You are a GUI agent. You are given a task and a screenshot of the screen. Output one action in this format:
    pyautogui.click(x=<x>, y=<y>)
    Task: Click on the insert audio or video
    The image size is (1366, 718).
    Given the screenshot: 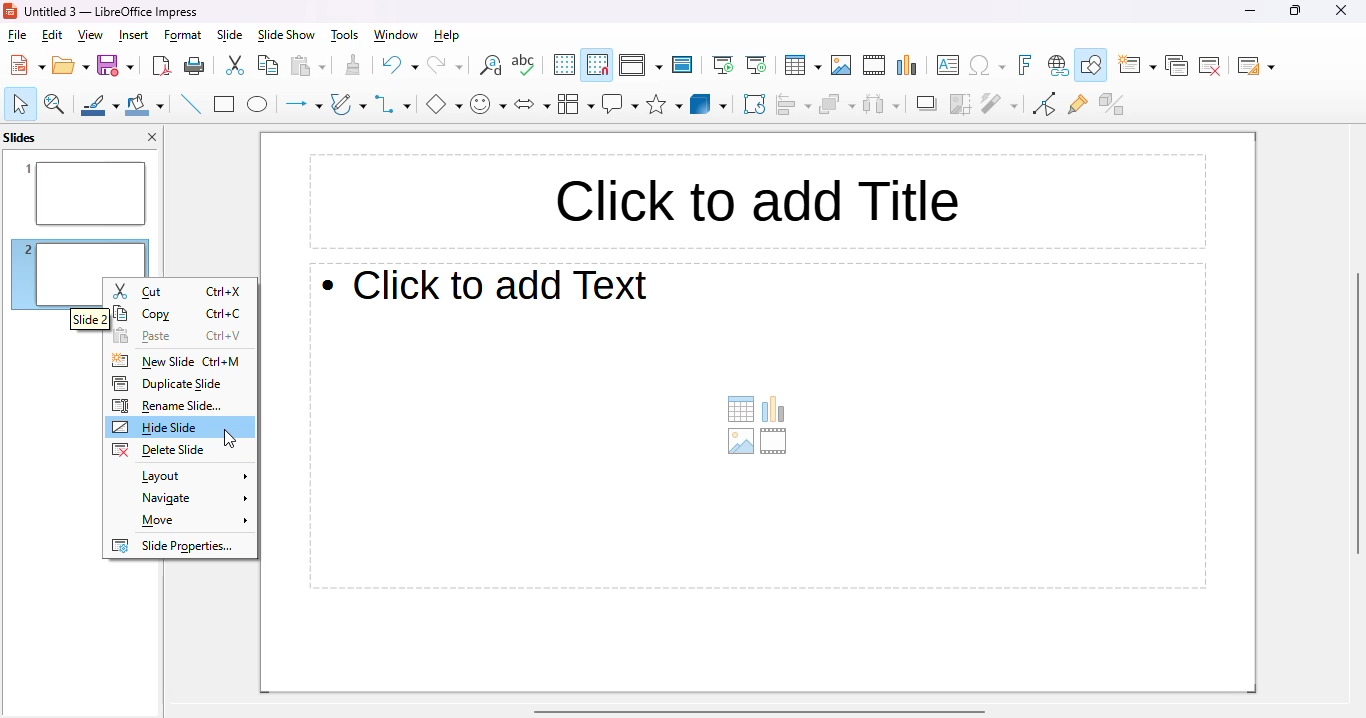 What is the action you would take?
    pyautogui.click(x=775, y=442)
    